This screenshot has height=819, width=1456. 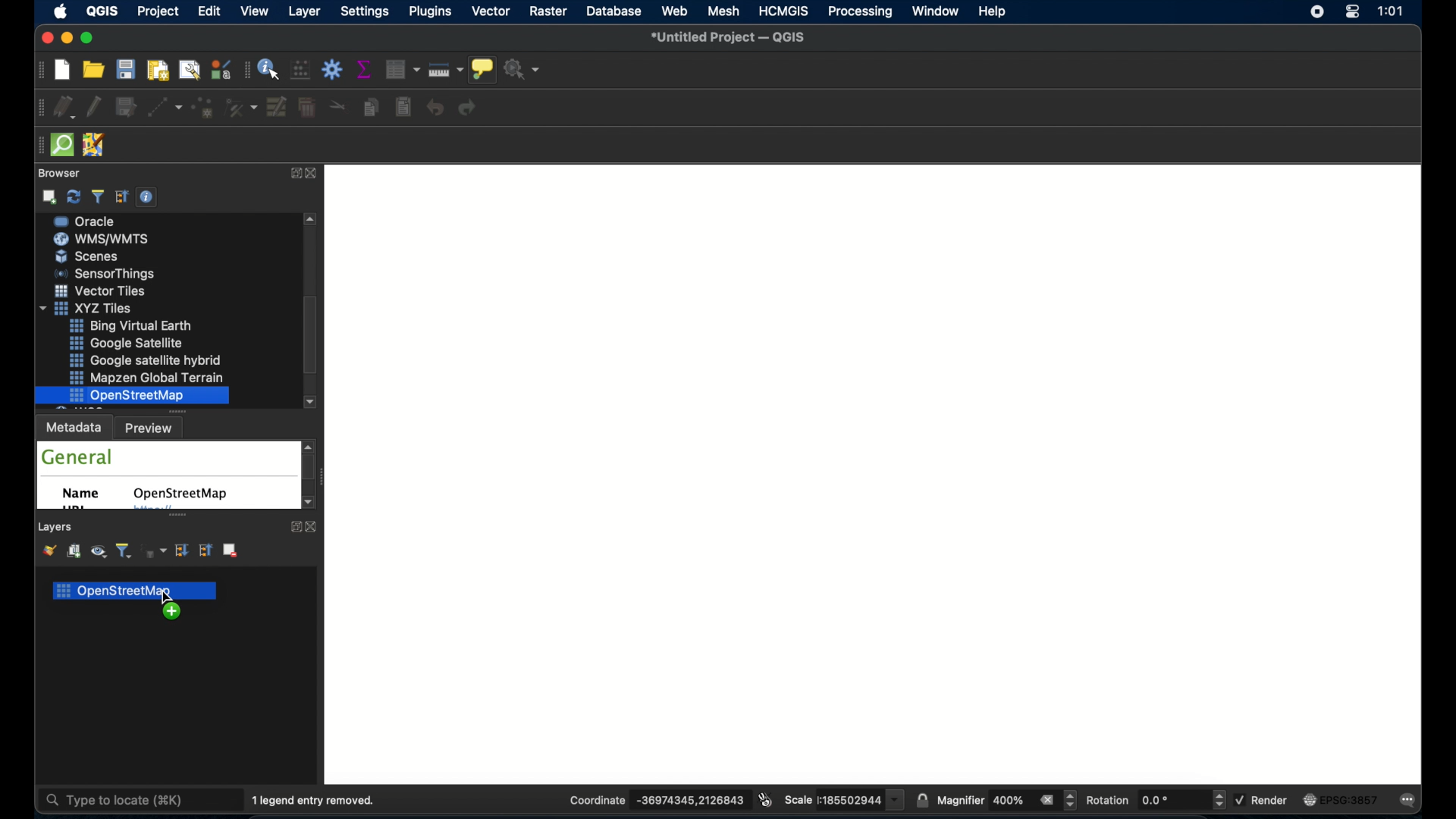 I want to click on render, so click(x=1264, y=801).